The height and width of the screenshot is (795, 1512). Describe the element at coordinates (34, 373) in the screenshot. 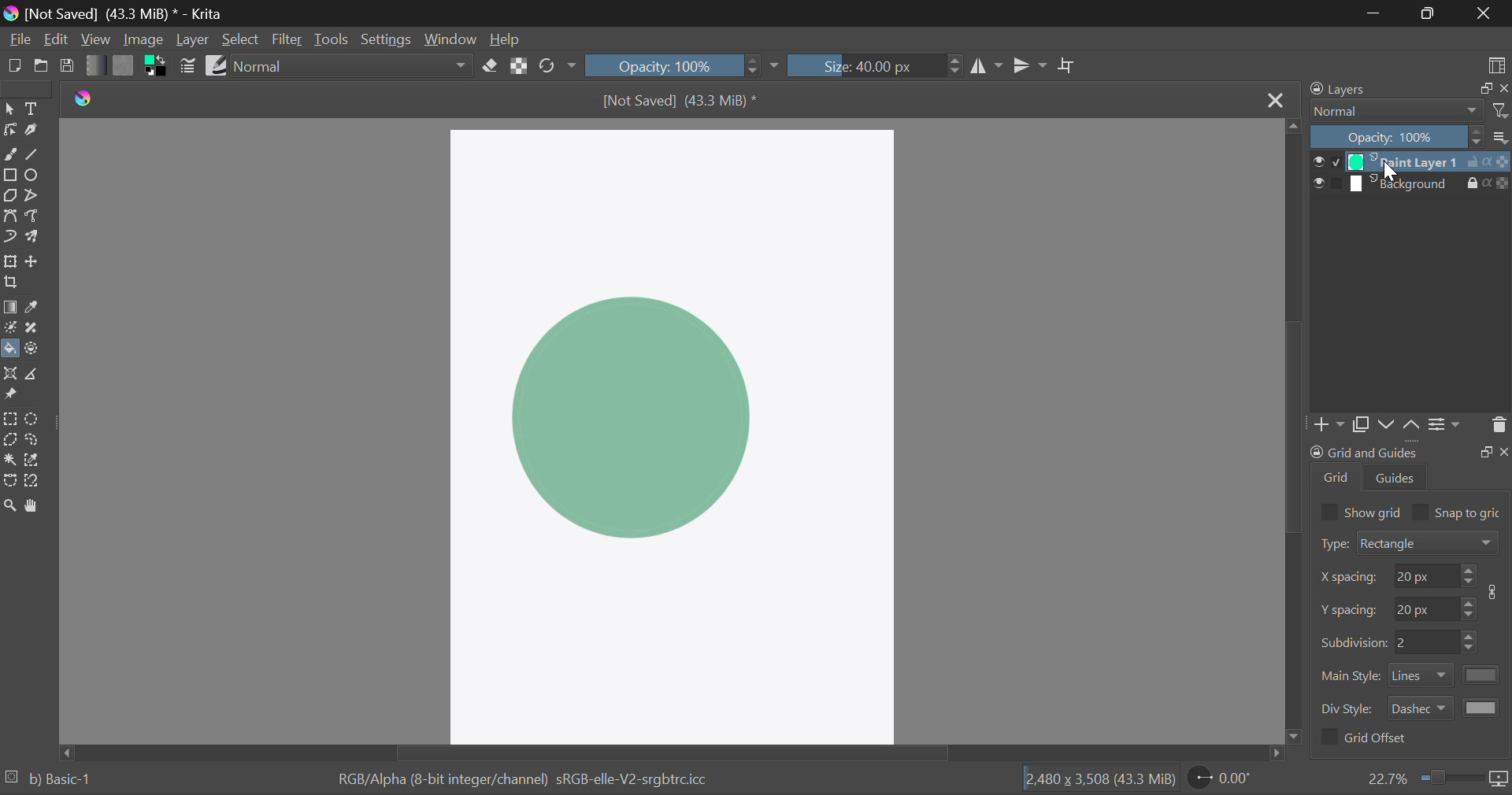

I see `Measurements` at that location.